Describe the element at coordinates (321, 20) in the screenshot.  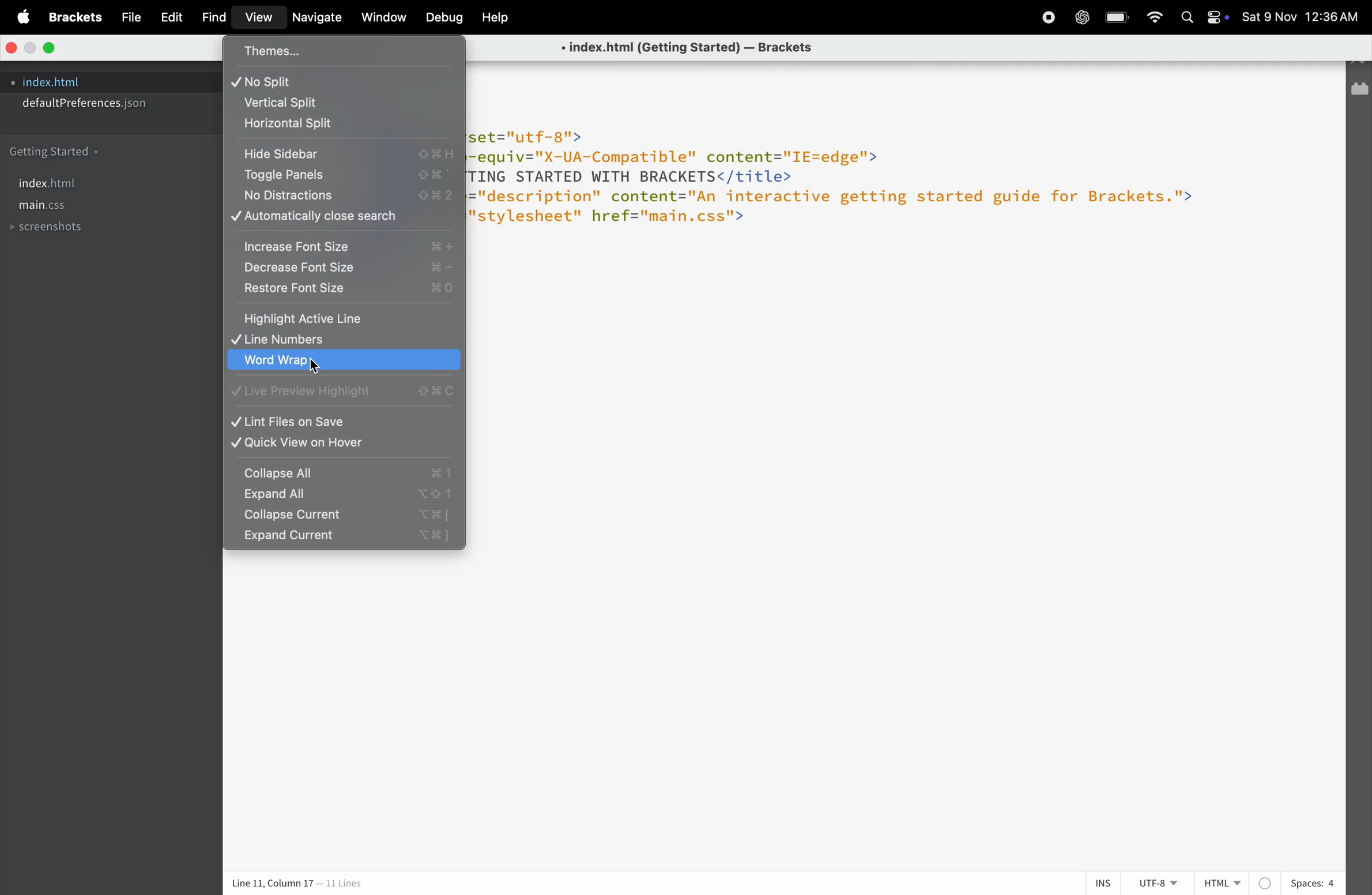
I see `navigate` at that location.